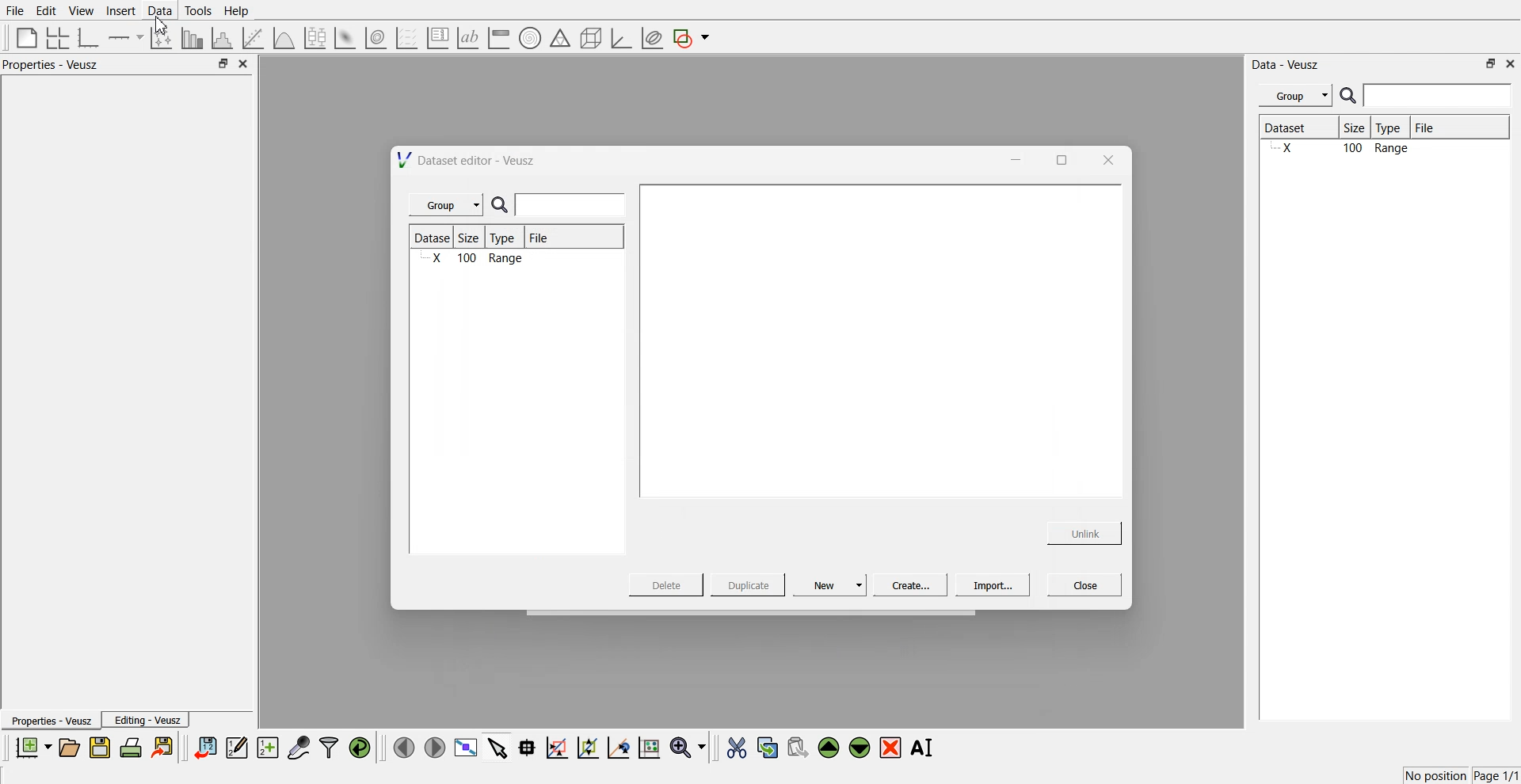  What do you see at coordinates (1085, 531) in the screenshot?
I see `Unlink` at bounding box center [1085, 531].